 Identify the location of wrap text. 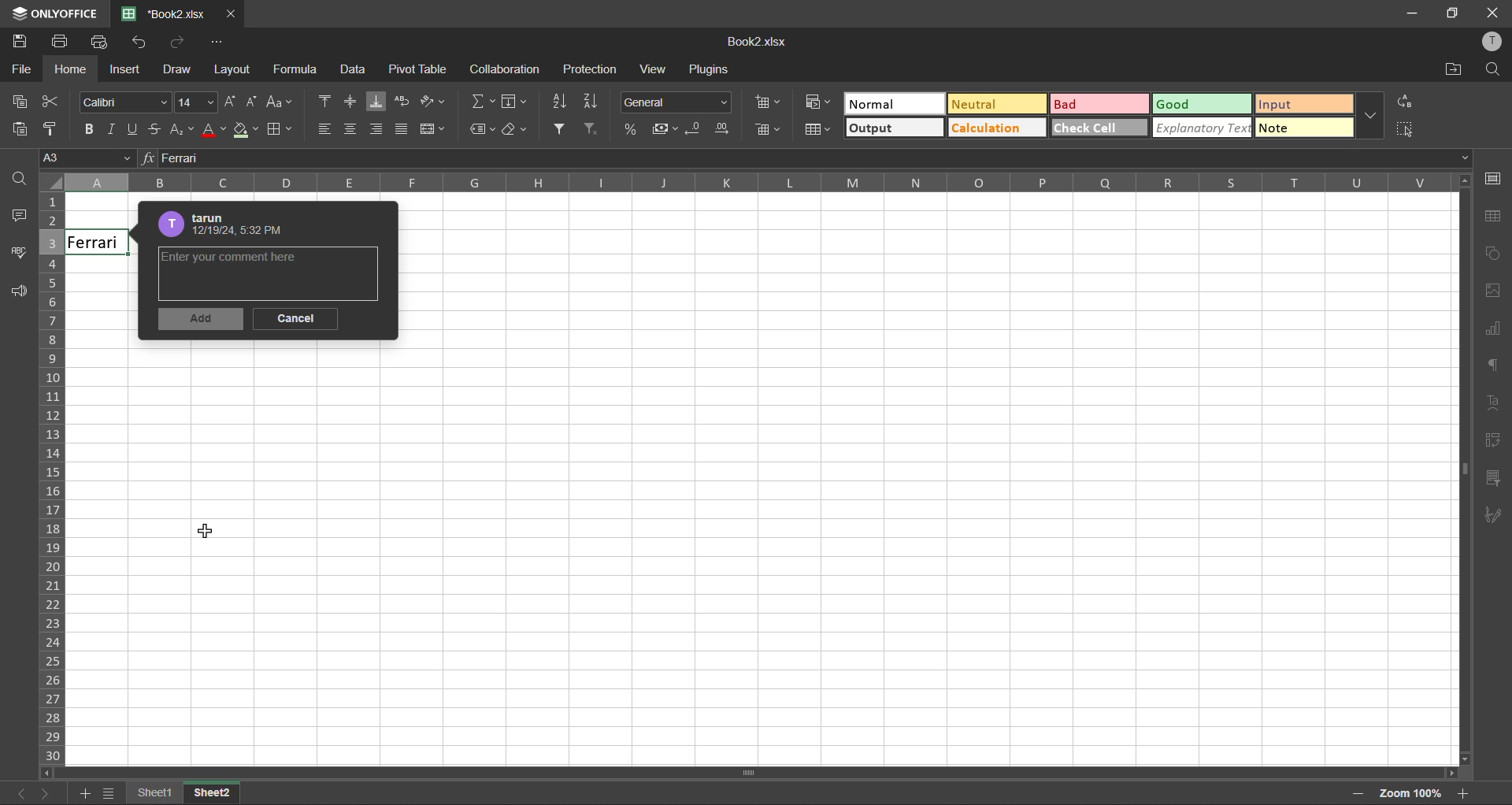
(402, 100).